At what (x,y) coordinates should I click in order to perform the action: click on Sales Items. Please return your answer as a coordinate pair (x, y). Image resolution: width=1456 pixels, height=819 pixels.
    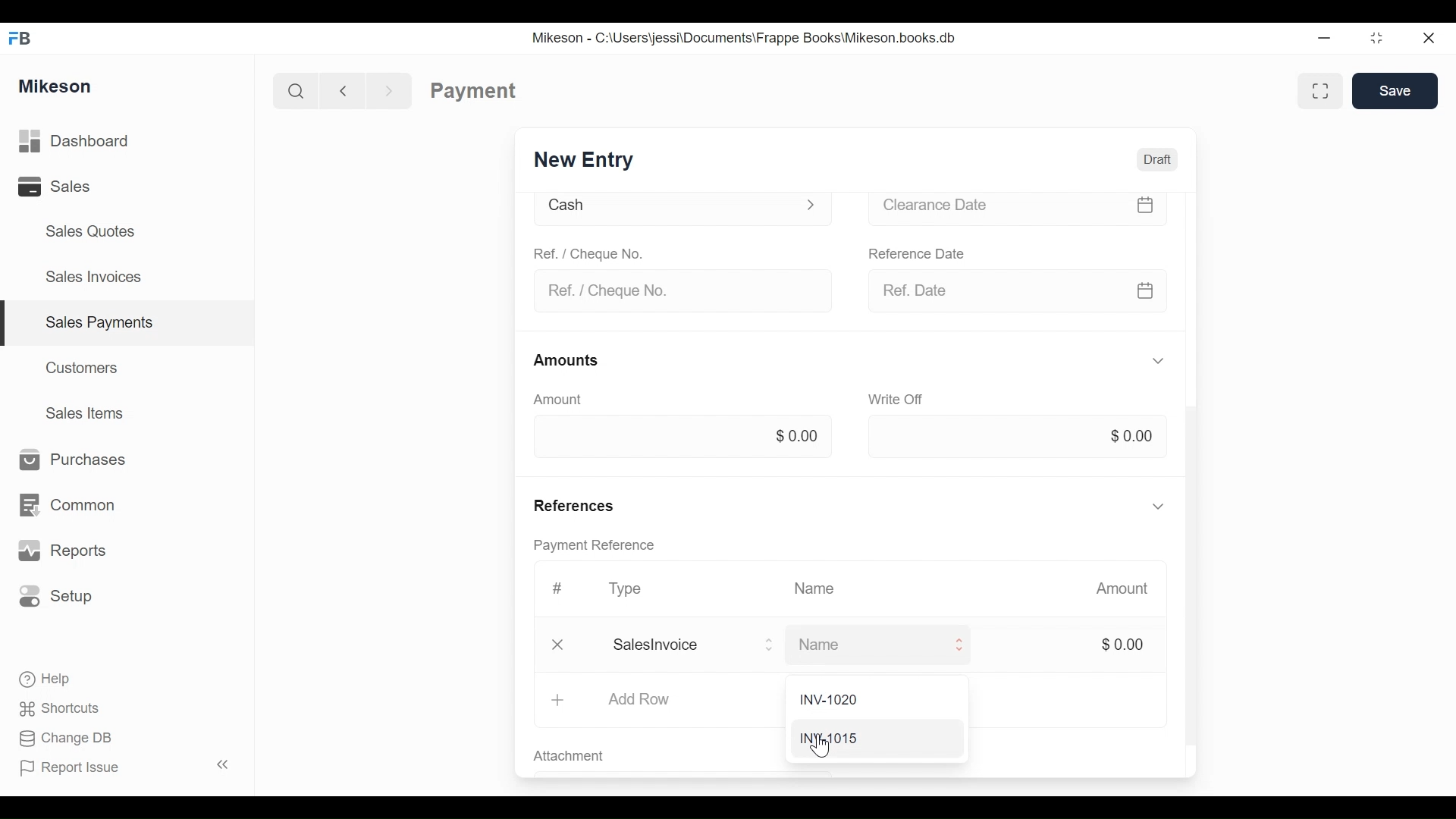
    Looking at the image, I should click on (92, 414).